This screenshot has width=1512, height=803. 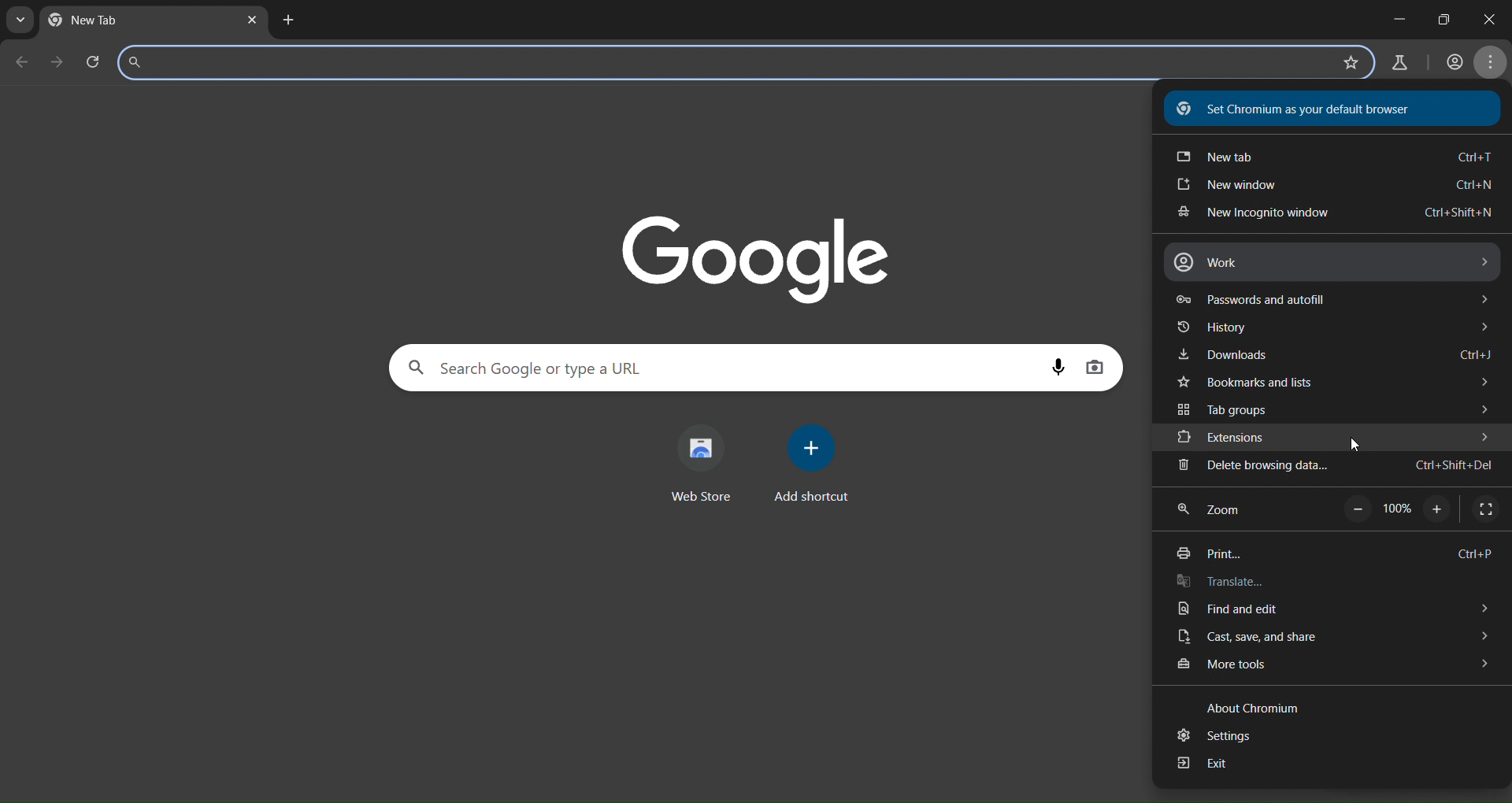 I want to click on history, so click(x=1332, y=329).